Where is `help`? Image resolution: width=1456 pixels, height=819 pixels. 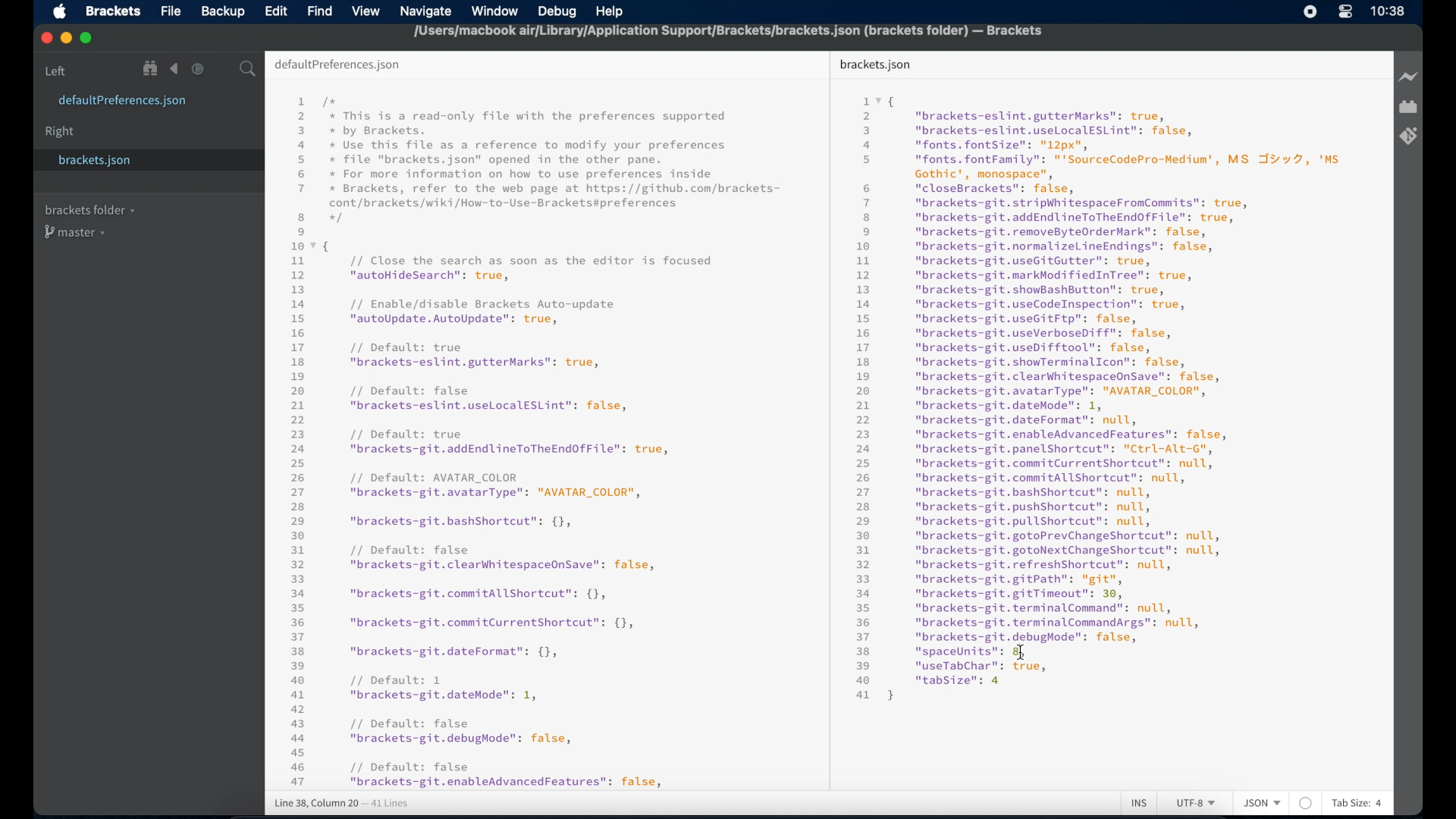 help is located at coordinates (610, 13).